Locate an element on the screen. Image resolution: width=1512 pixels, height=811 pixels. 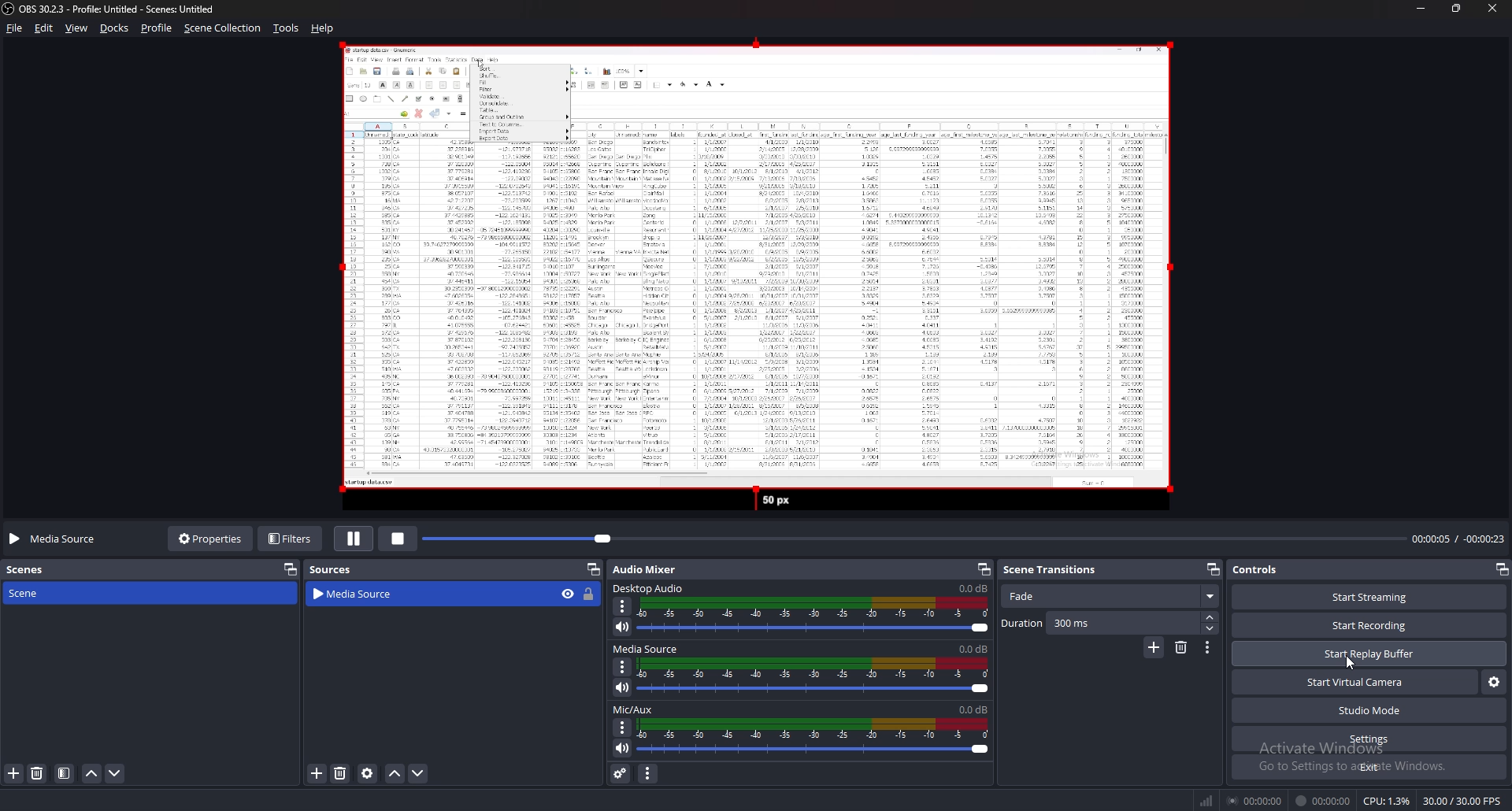
pop out is located at coordinates (1501, 569).